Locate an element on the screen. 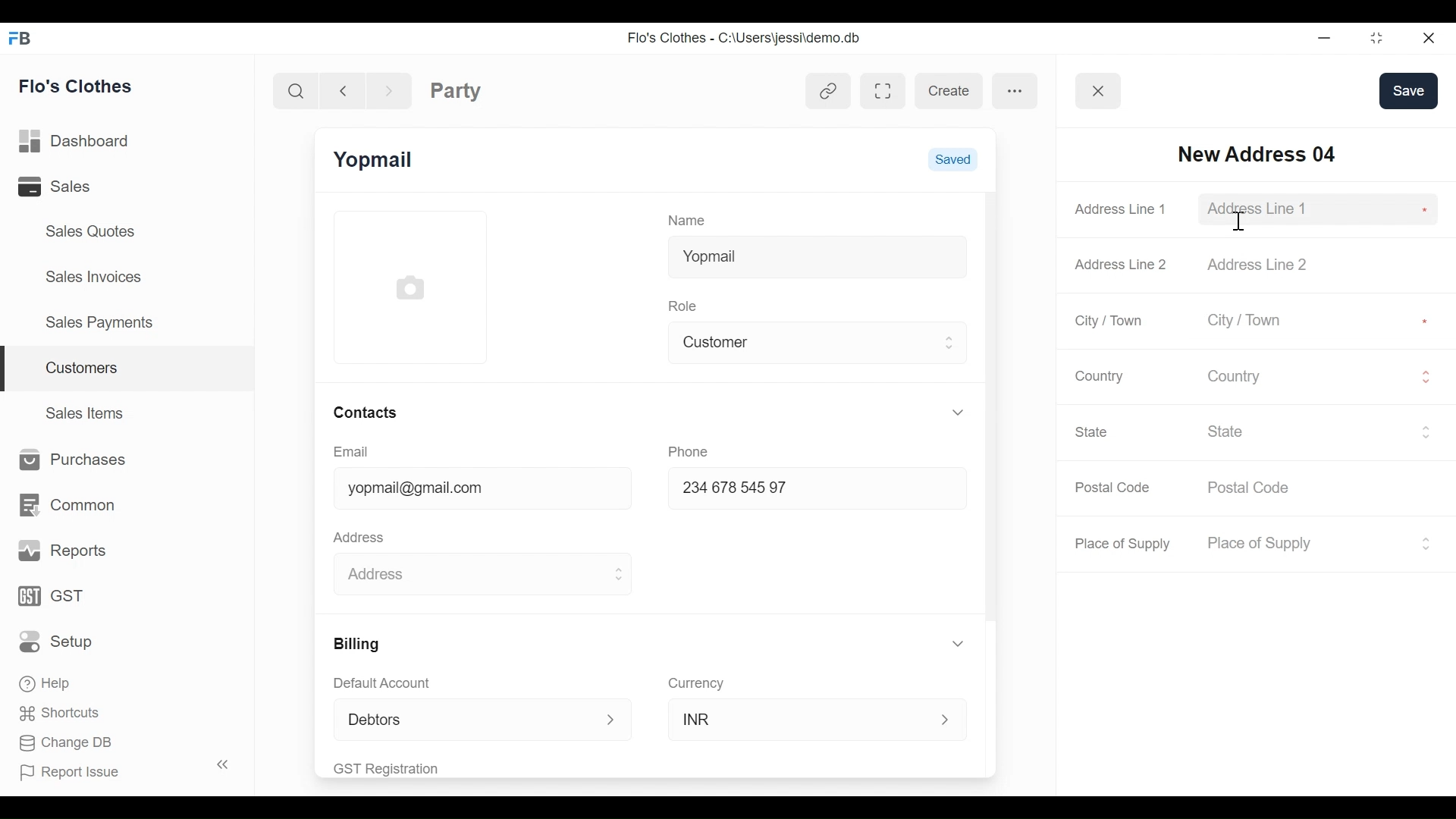 This screenshot has width=1456, height=819. create is located at coordinates (948, 91).